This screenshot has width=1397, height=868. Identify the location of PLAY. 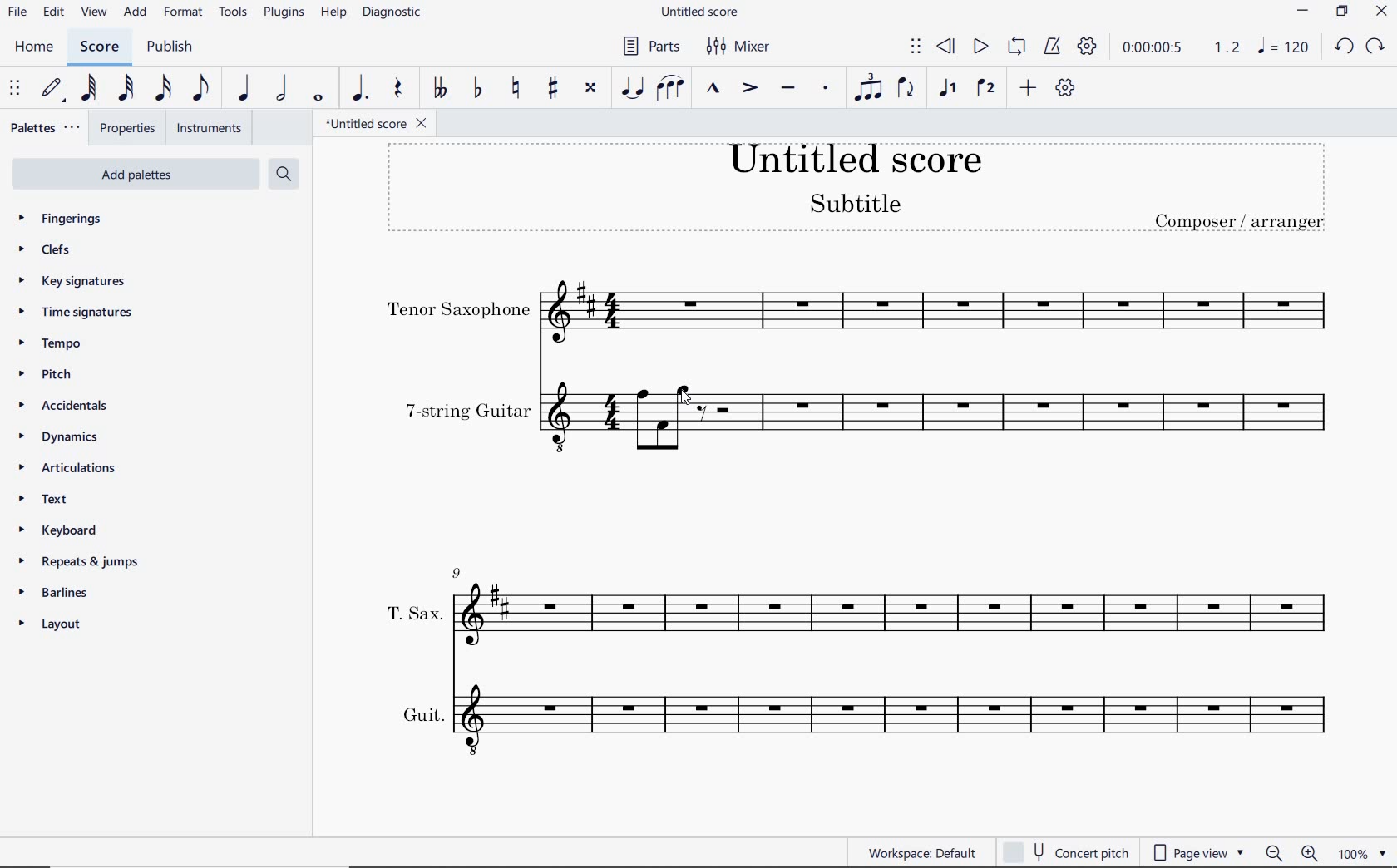
(980, 47).